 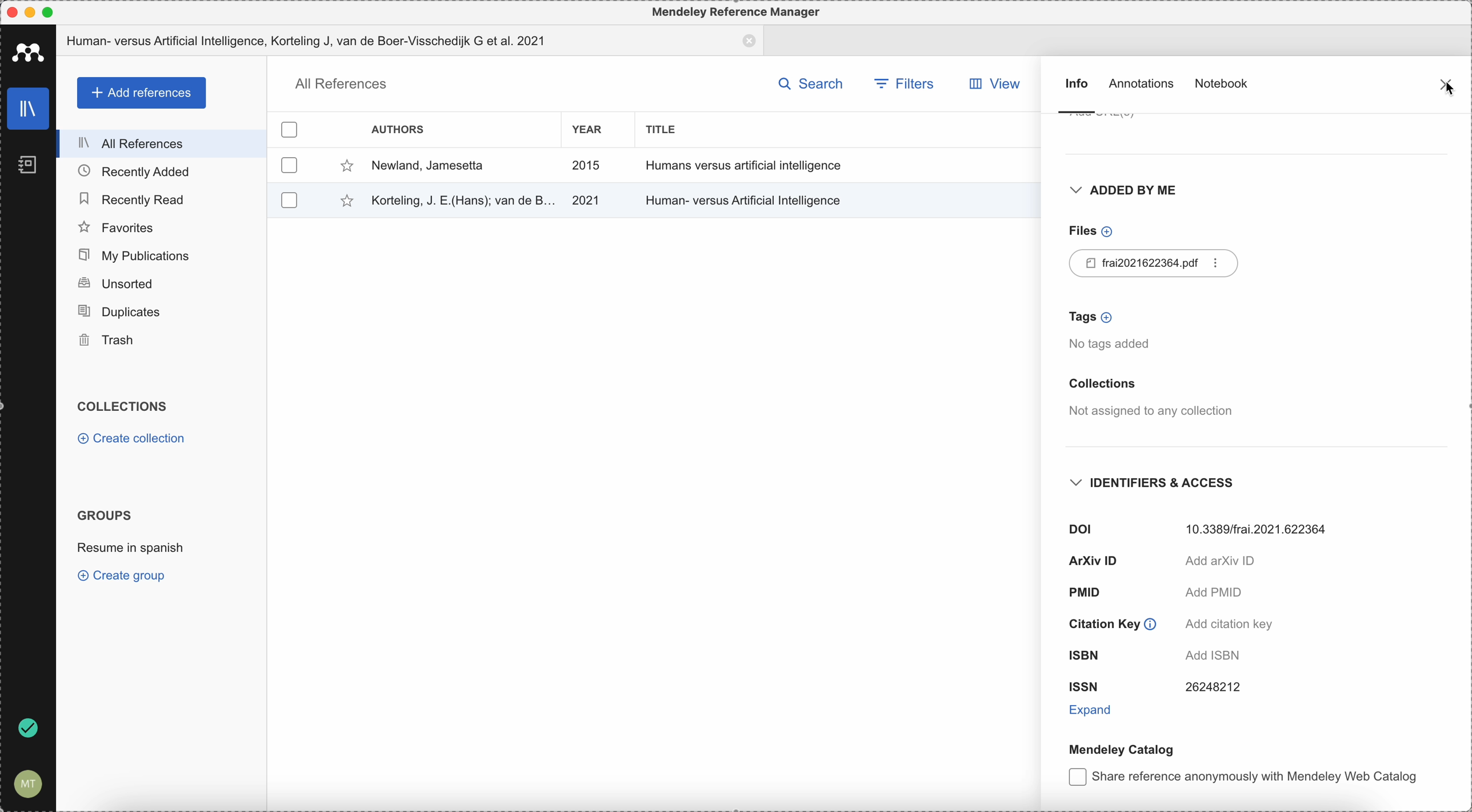 I want to click on Human-versus Artificial Intelligence, so click(x=747, y=198).